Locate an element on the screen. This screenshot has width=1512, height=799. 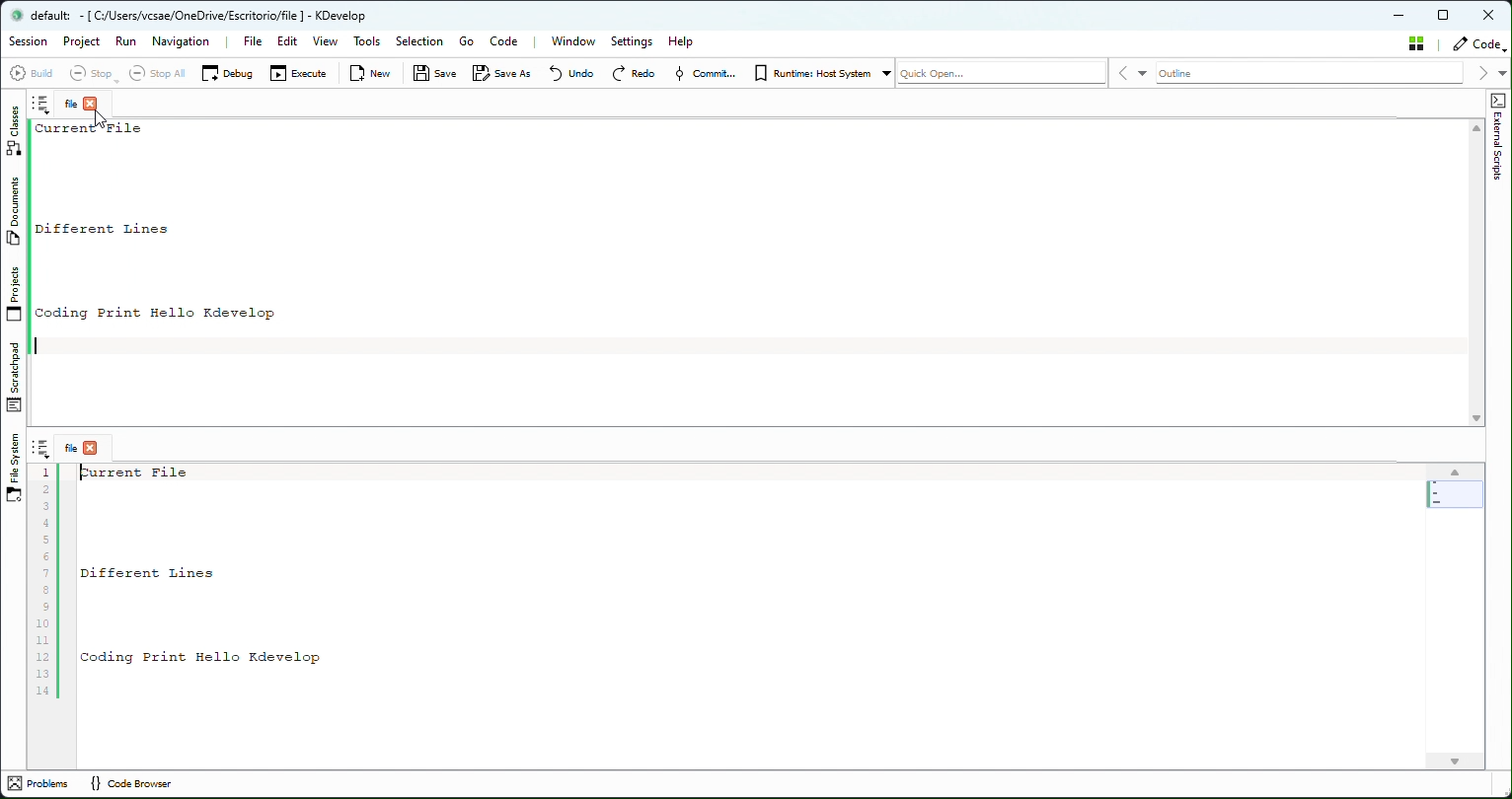
Settings is located at coordinates (631, 41).